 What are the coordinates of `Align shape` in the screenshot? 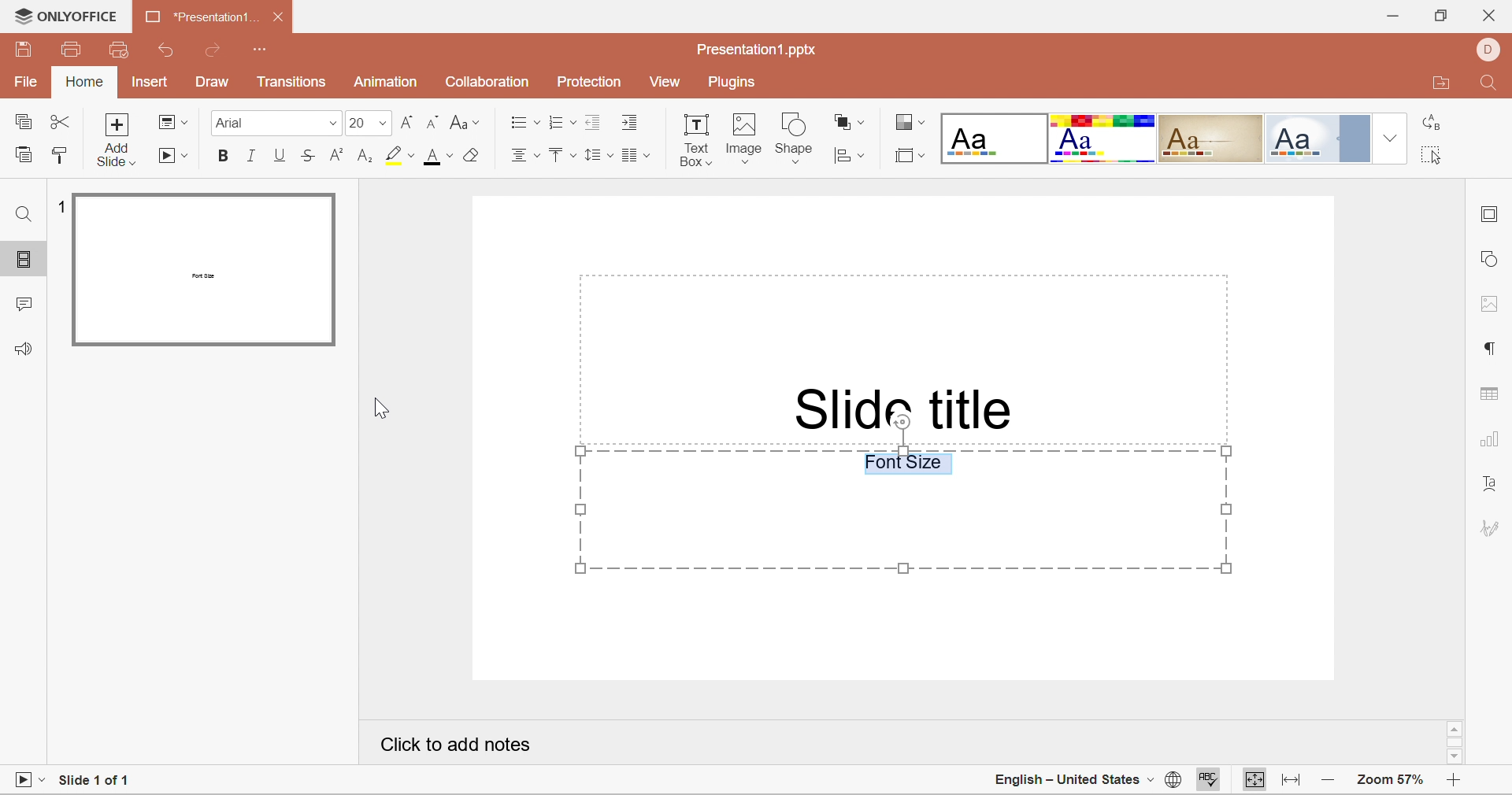 It's located at (848, 157).